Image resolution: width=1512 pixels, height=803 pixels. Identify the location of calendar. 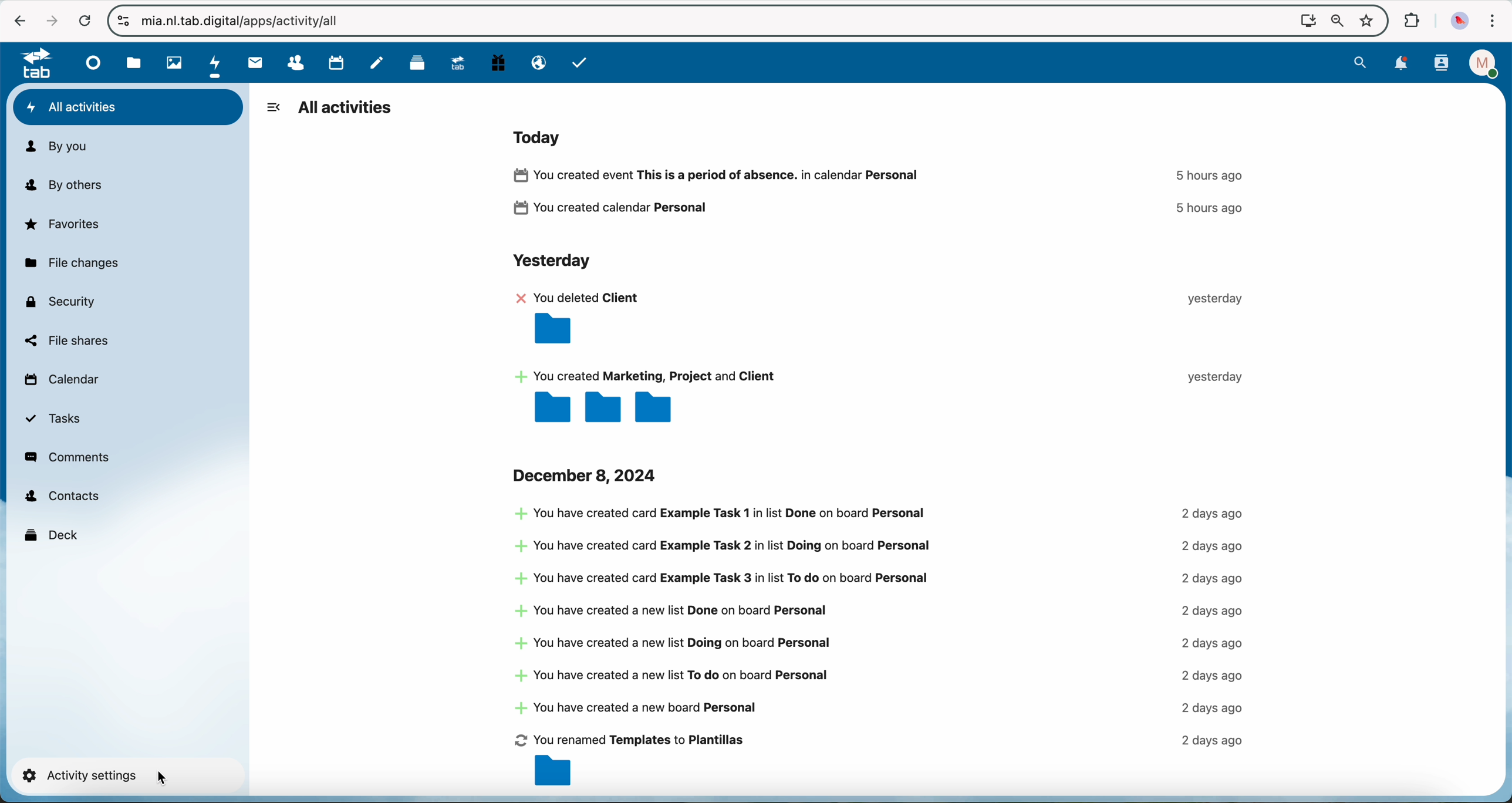
(332, 62).